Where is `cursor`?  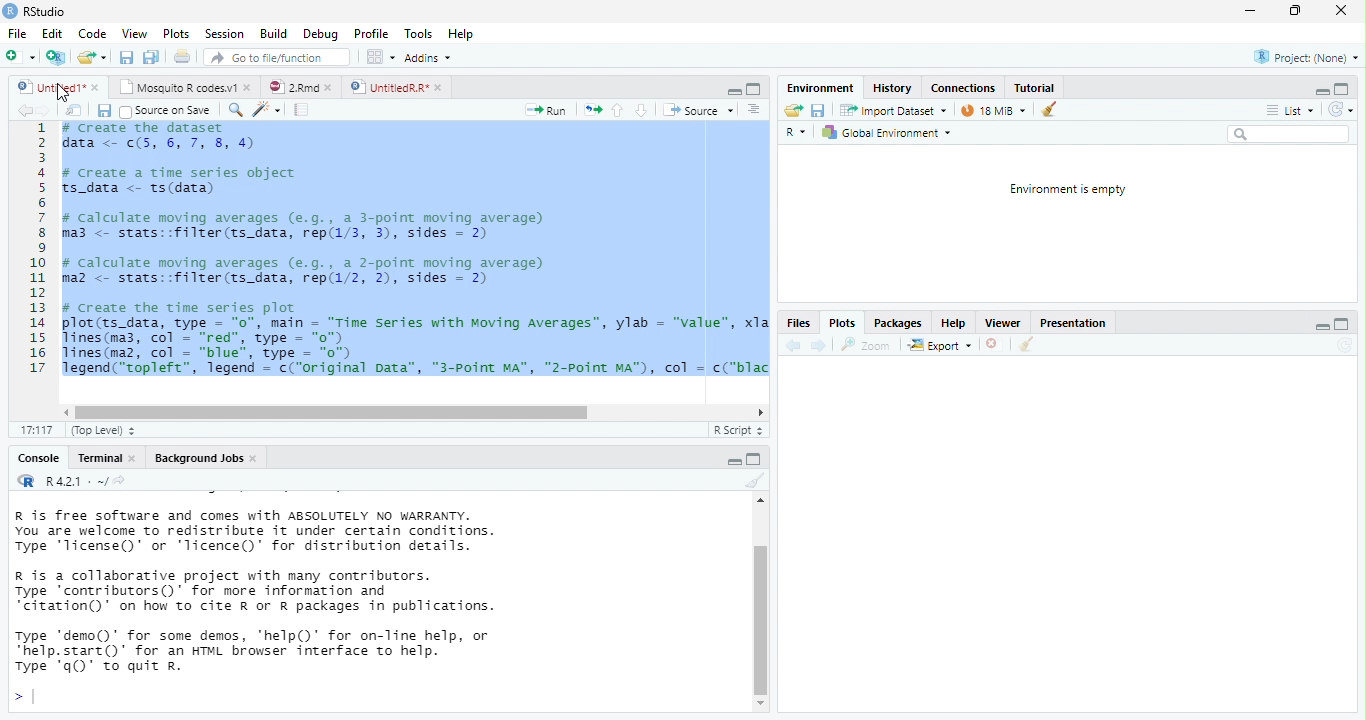 cursor is located at coordinates (60, 92).